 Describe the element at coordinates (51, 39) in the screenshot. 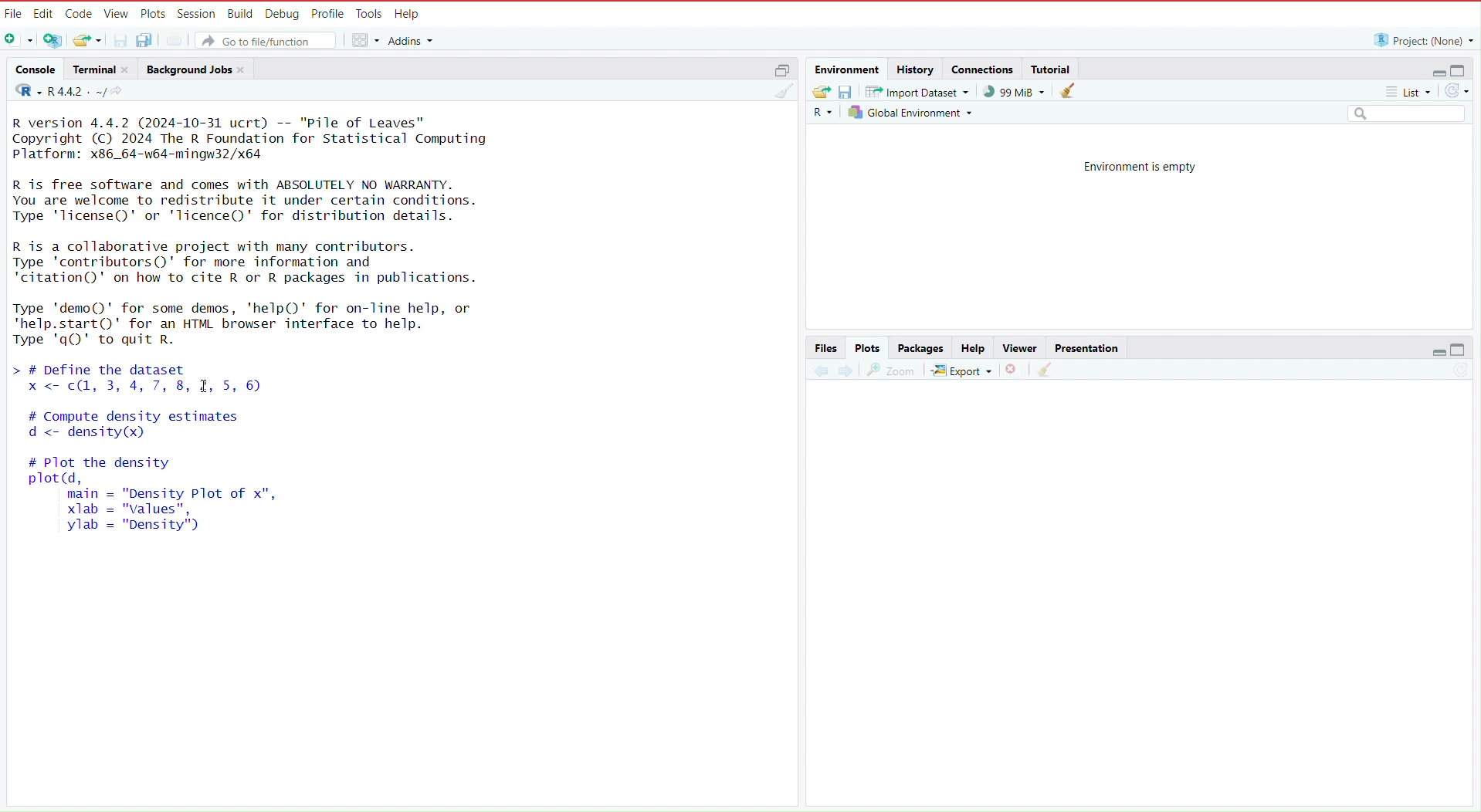

I see `create a project` at that location.